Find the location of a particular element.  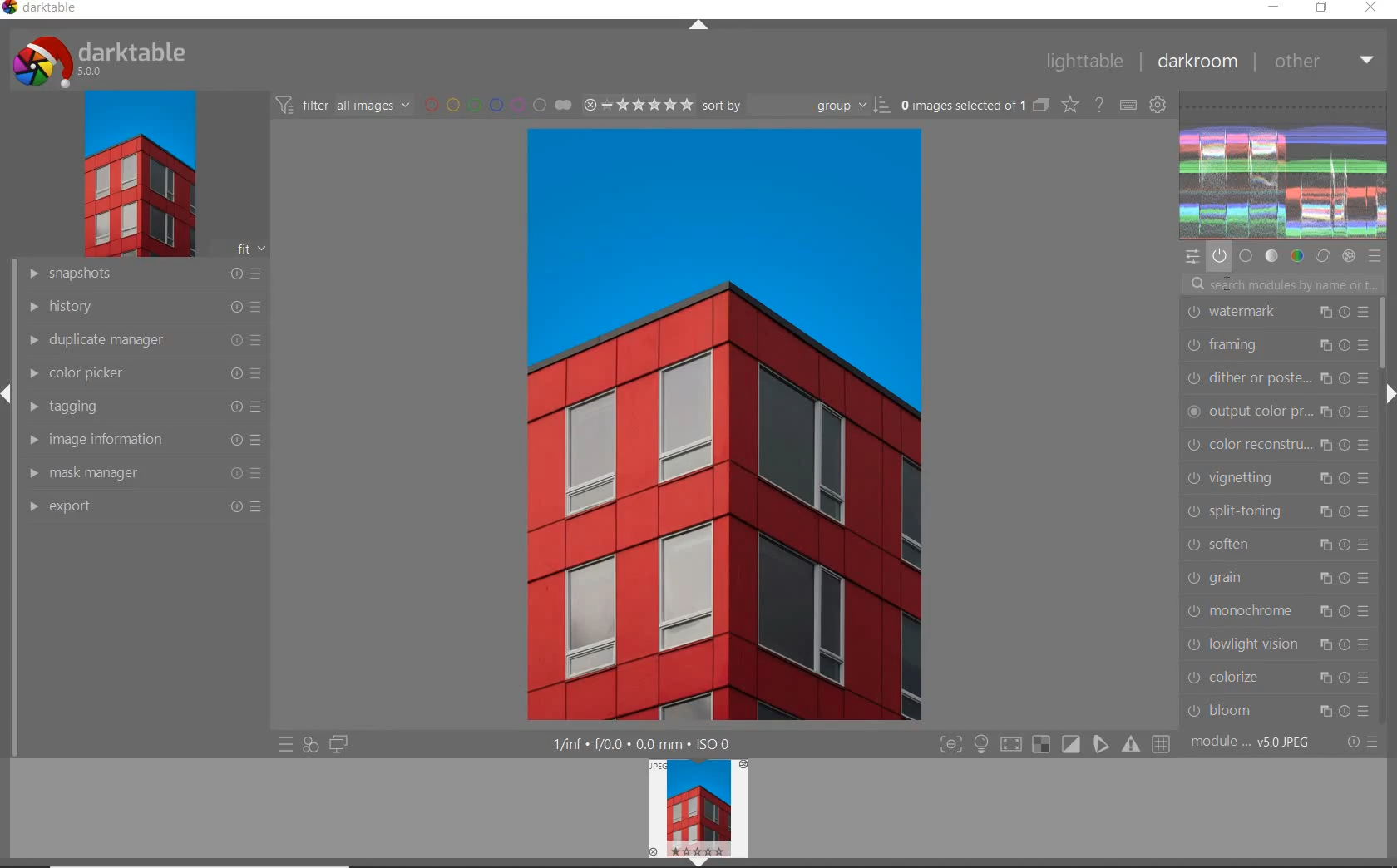

quick access to preset is located at coordinates (286, 745).